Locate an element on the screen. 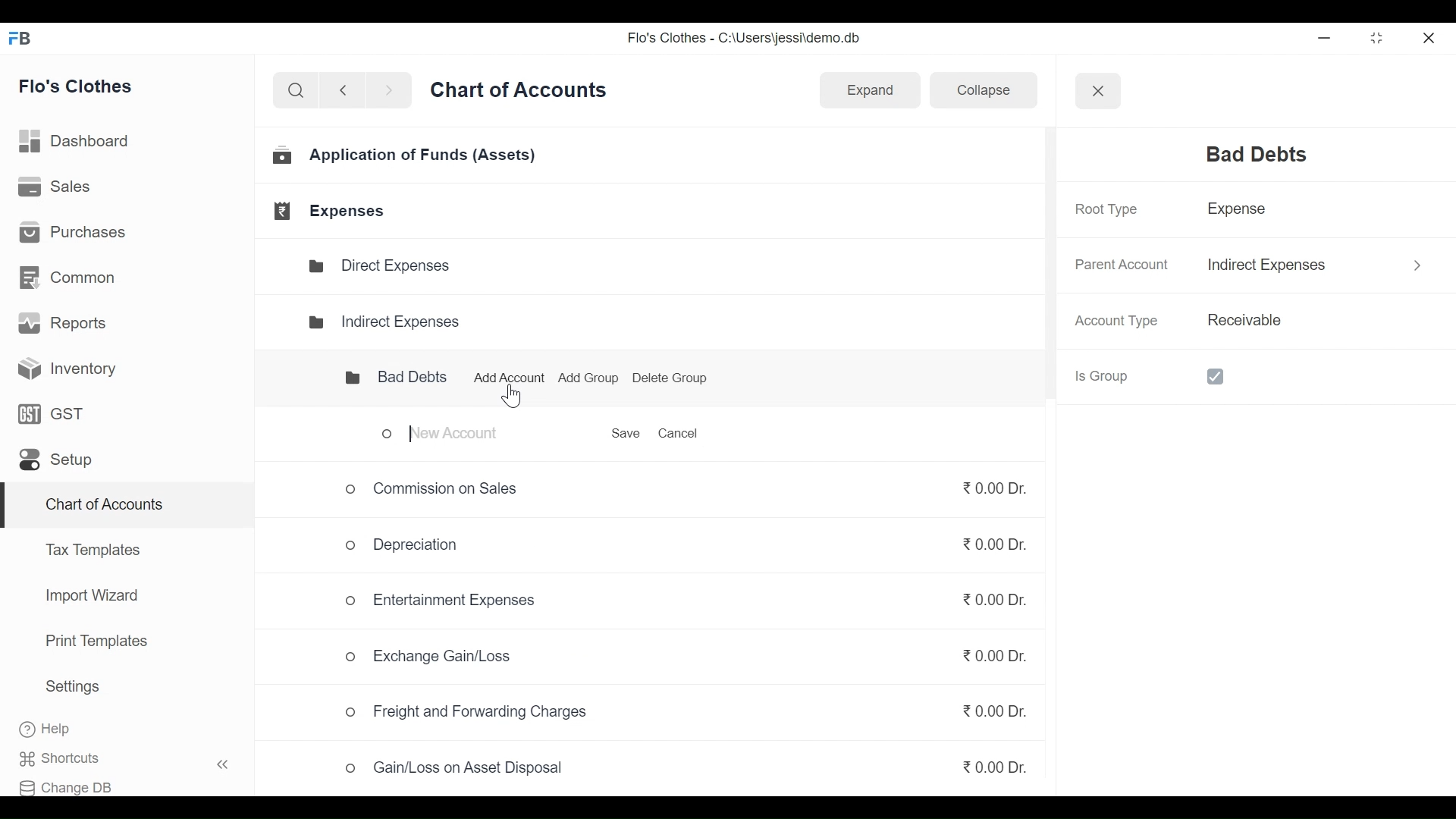 The image size is (1456, 819). Expense is located at coordinates (1242, 212).